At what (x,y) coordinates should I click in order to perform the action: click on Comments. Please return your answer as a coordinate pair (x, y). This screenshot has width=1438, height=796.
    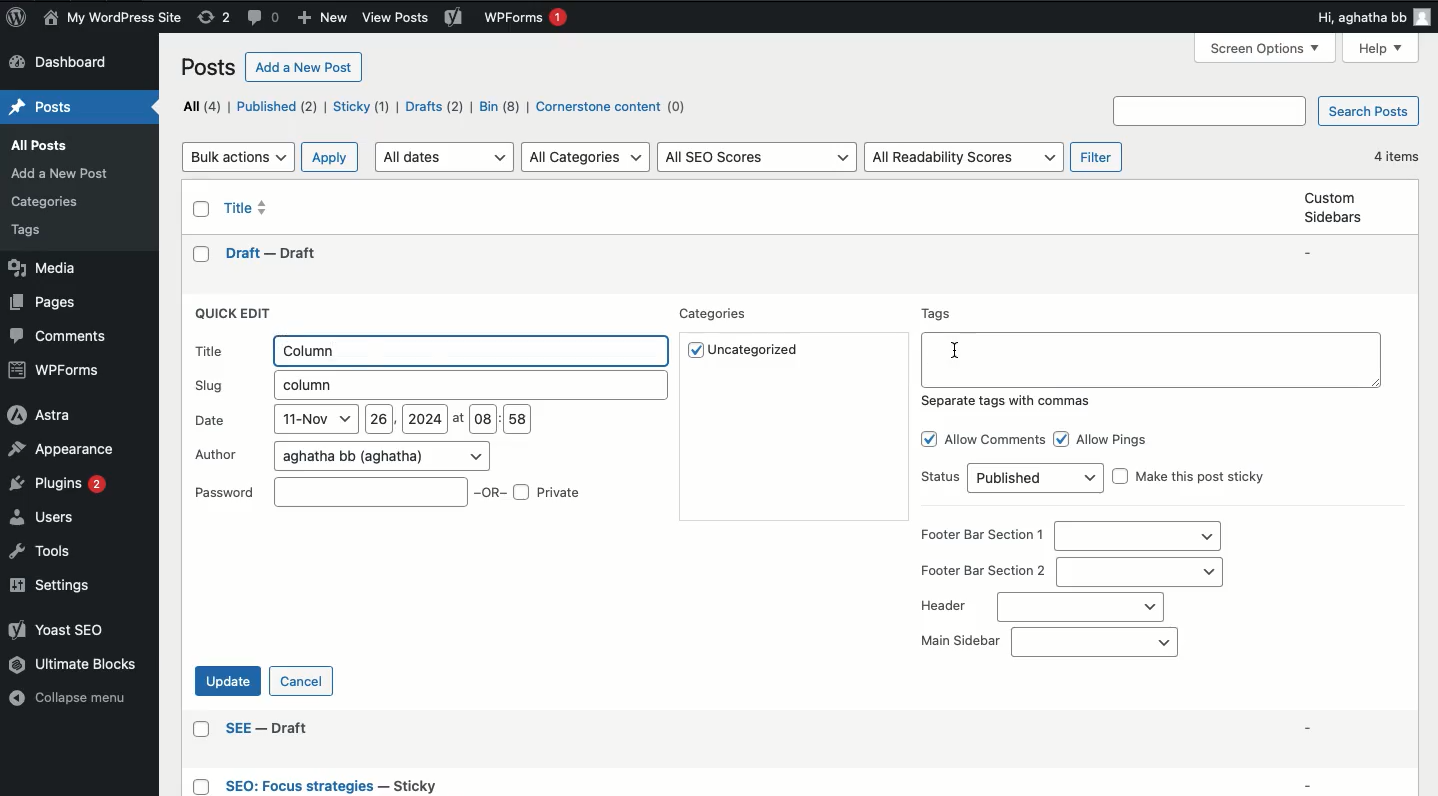
    Looking at the image, I should click on (266, 18).